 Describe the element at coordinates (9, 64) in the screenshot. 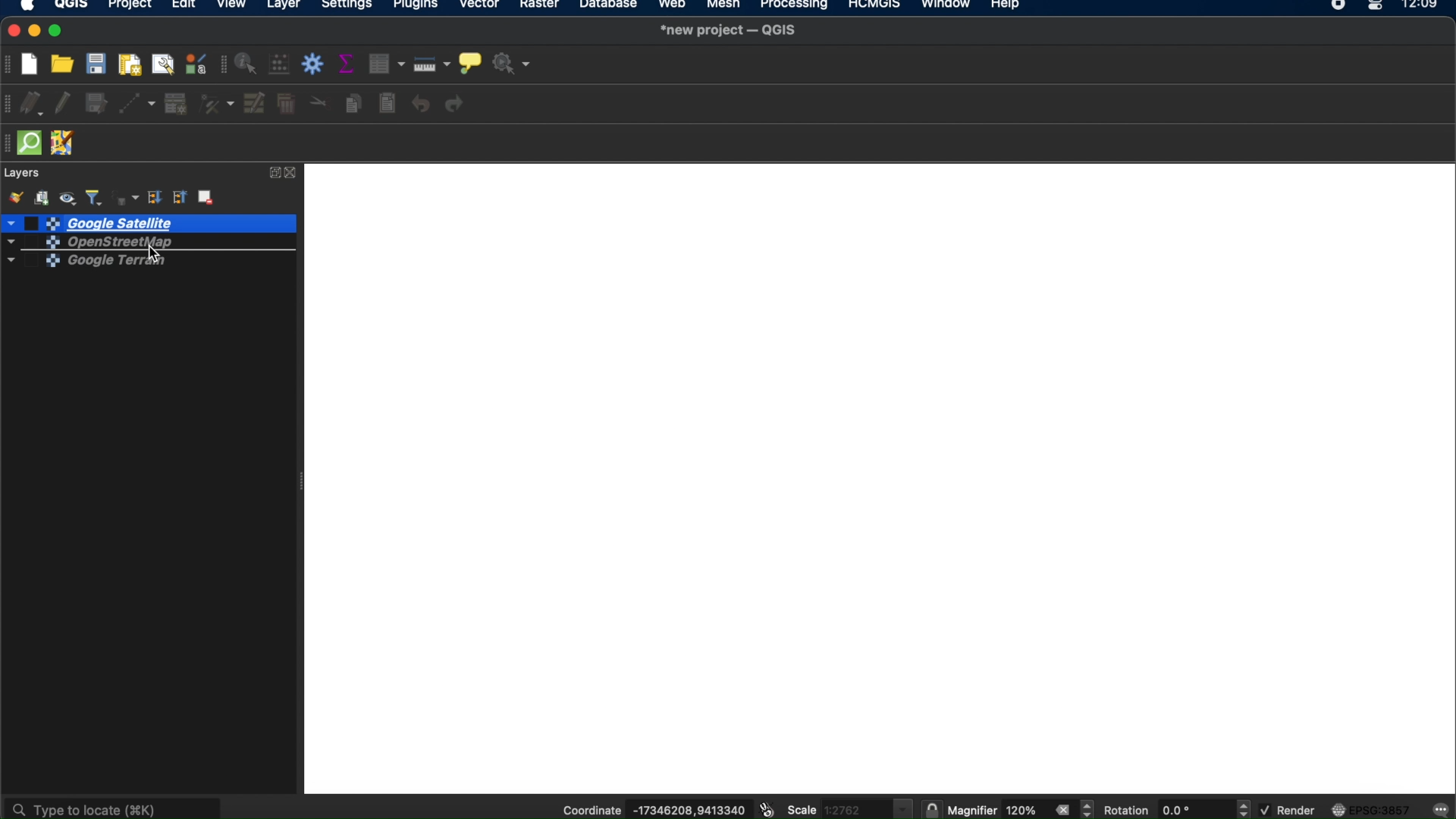

I see `project toolbar` at that location.